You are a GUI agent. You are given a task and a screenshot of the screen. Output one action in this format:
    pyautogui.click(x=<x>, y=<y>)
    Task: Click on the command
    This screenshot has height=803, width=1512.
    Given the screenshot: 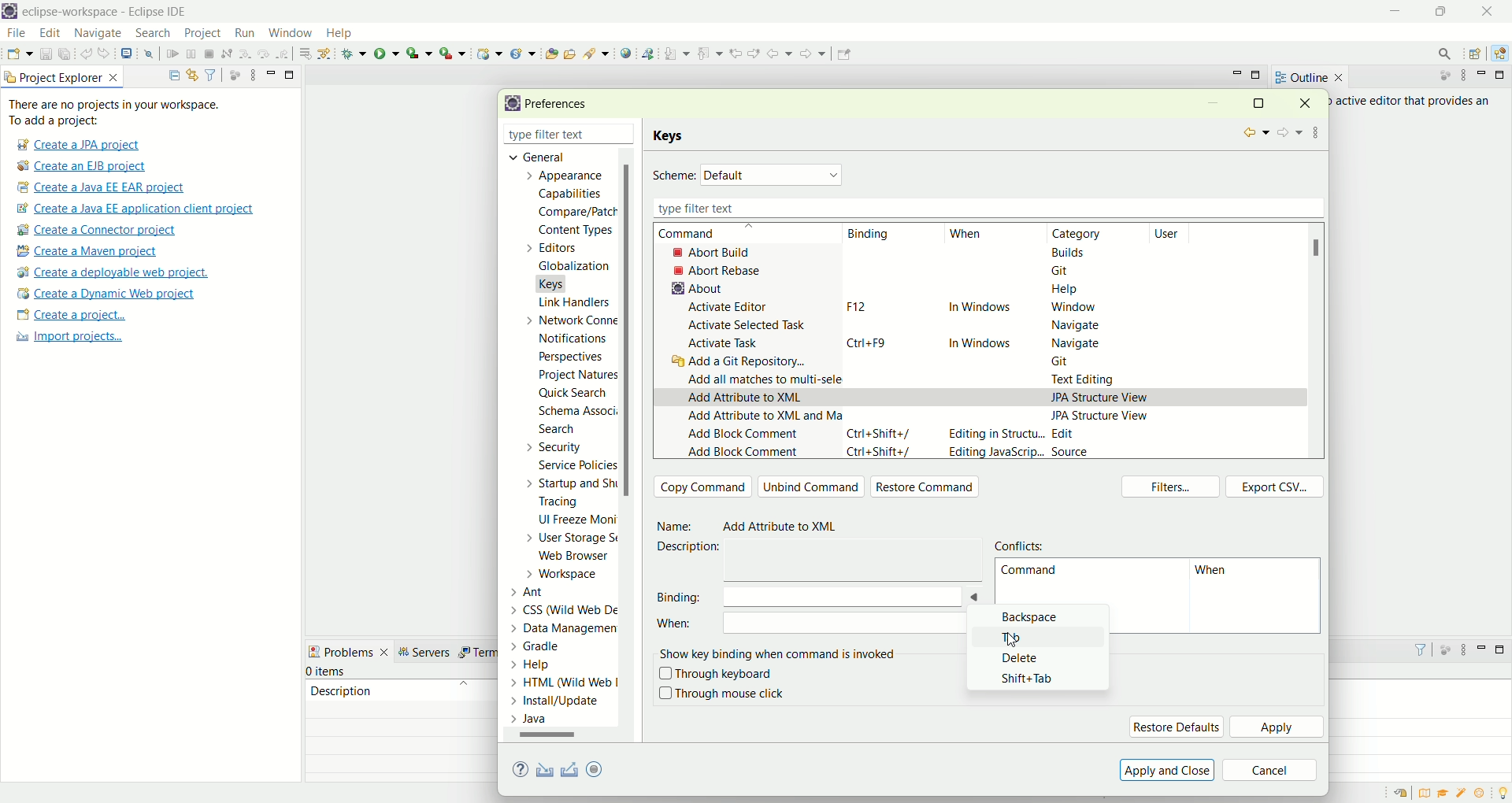 What is the action you would take?
    pyautogui.click(x=703, y=234)
    